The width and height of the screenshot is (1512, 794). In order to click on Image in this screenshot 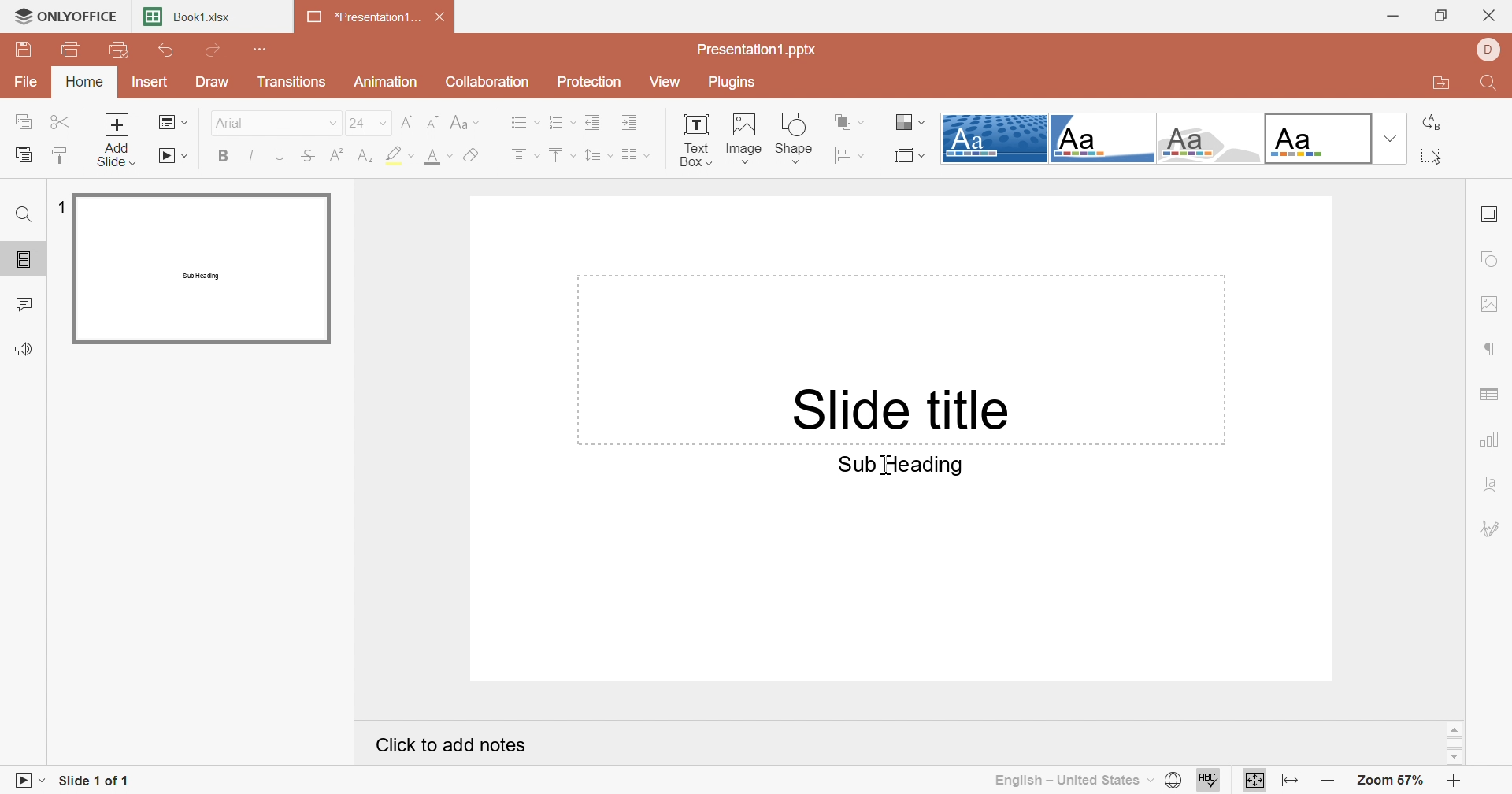, I will do `click(745, 138)`.